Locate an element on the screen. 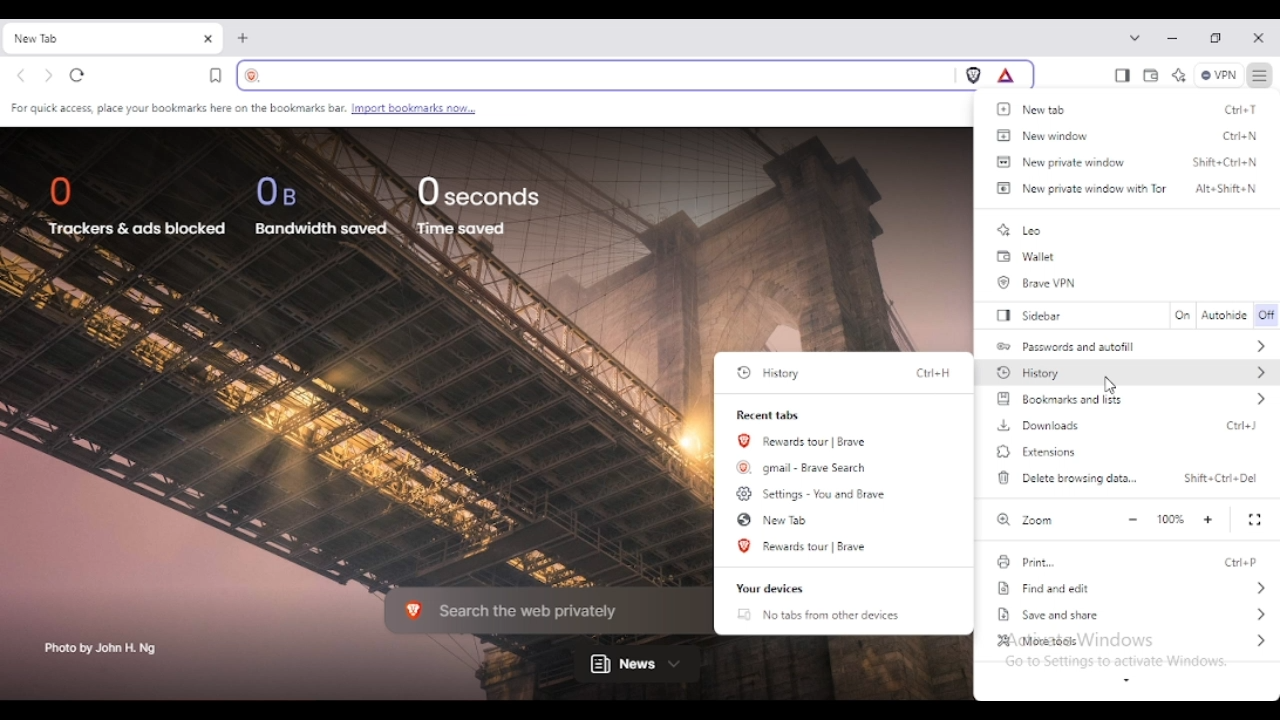  go back is located at coordinates (22, 77).